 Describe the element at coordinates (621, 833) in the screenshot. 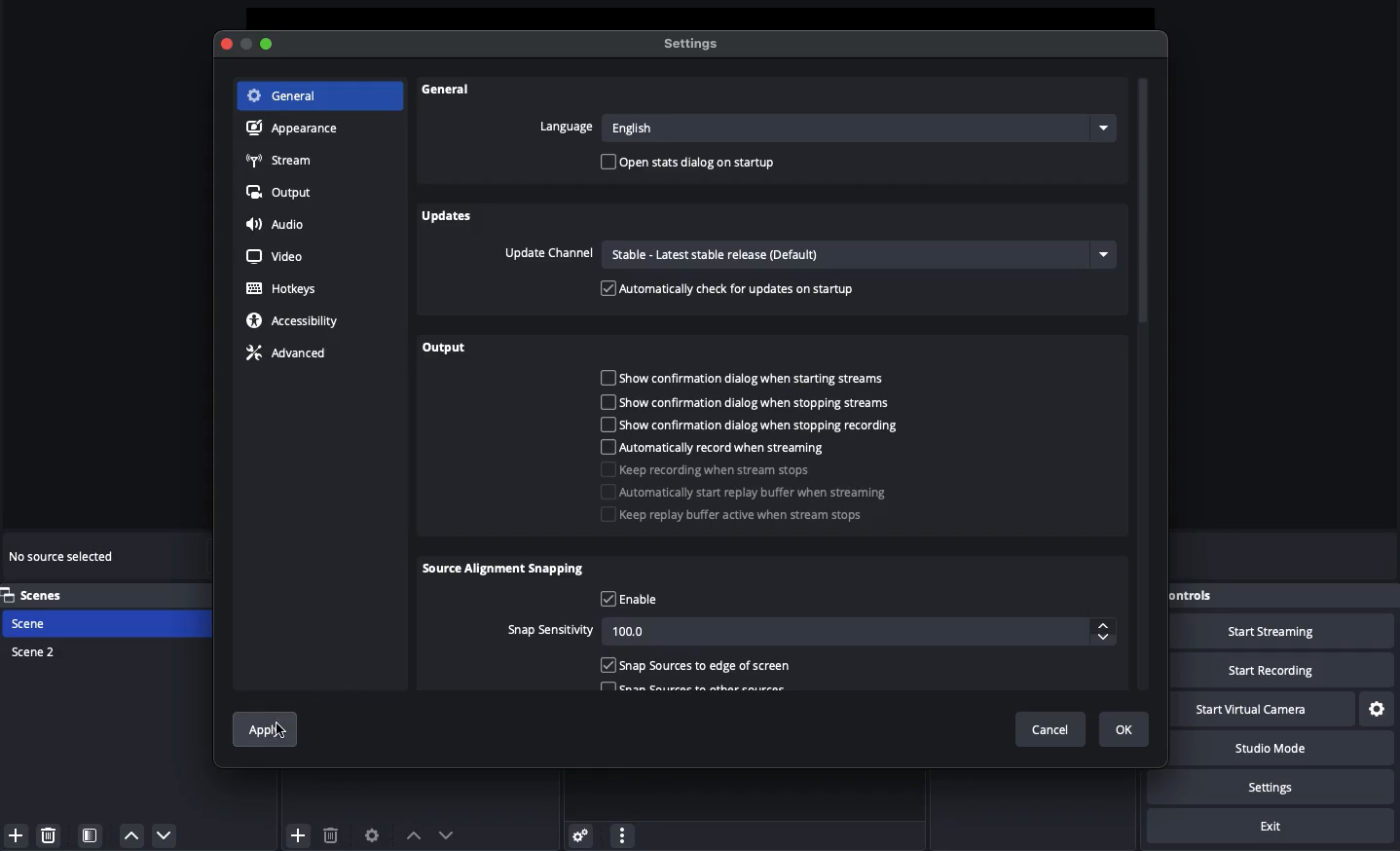

I see `More` at that location.